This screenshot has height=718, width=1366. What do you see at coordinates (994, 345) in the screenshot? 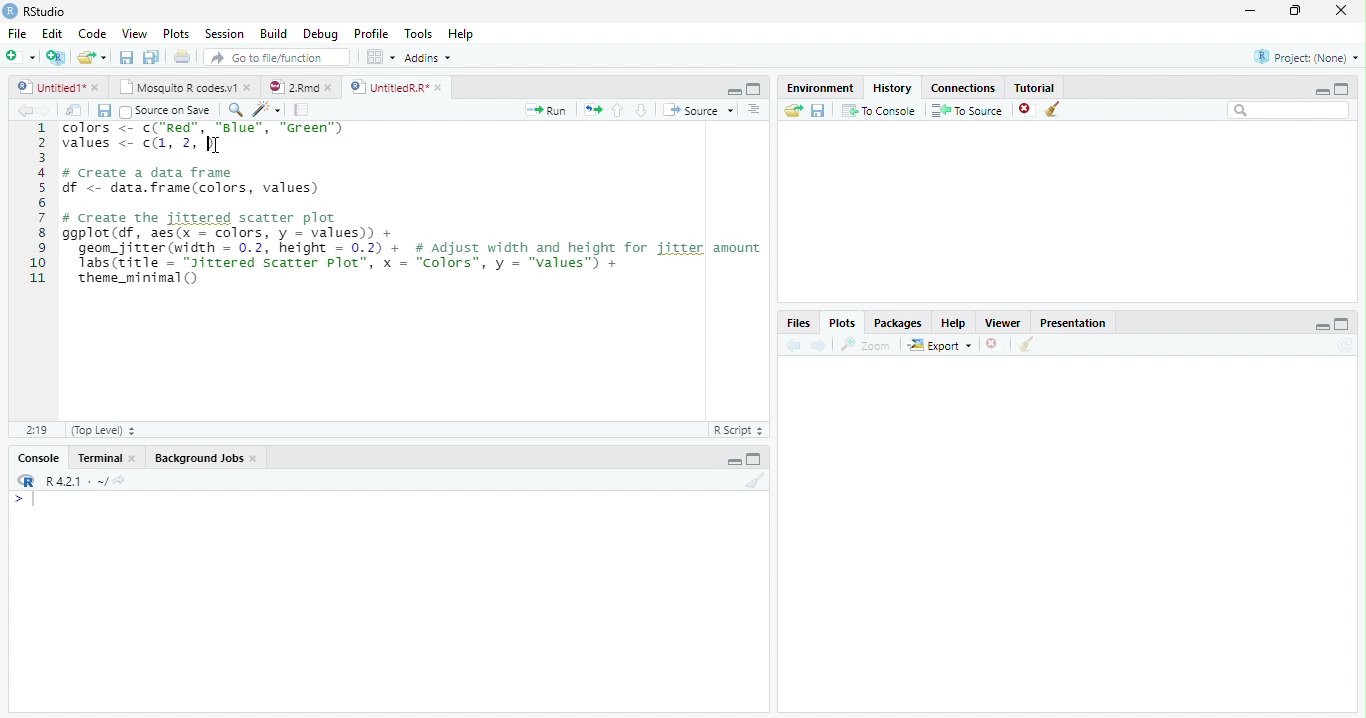
I see `Remove current plot` at bounding box center [994, 345].